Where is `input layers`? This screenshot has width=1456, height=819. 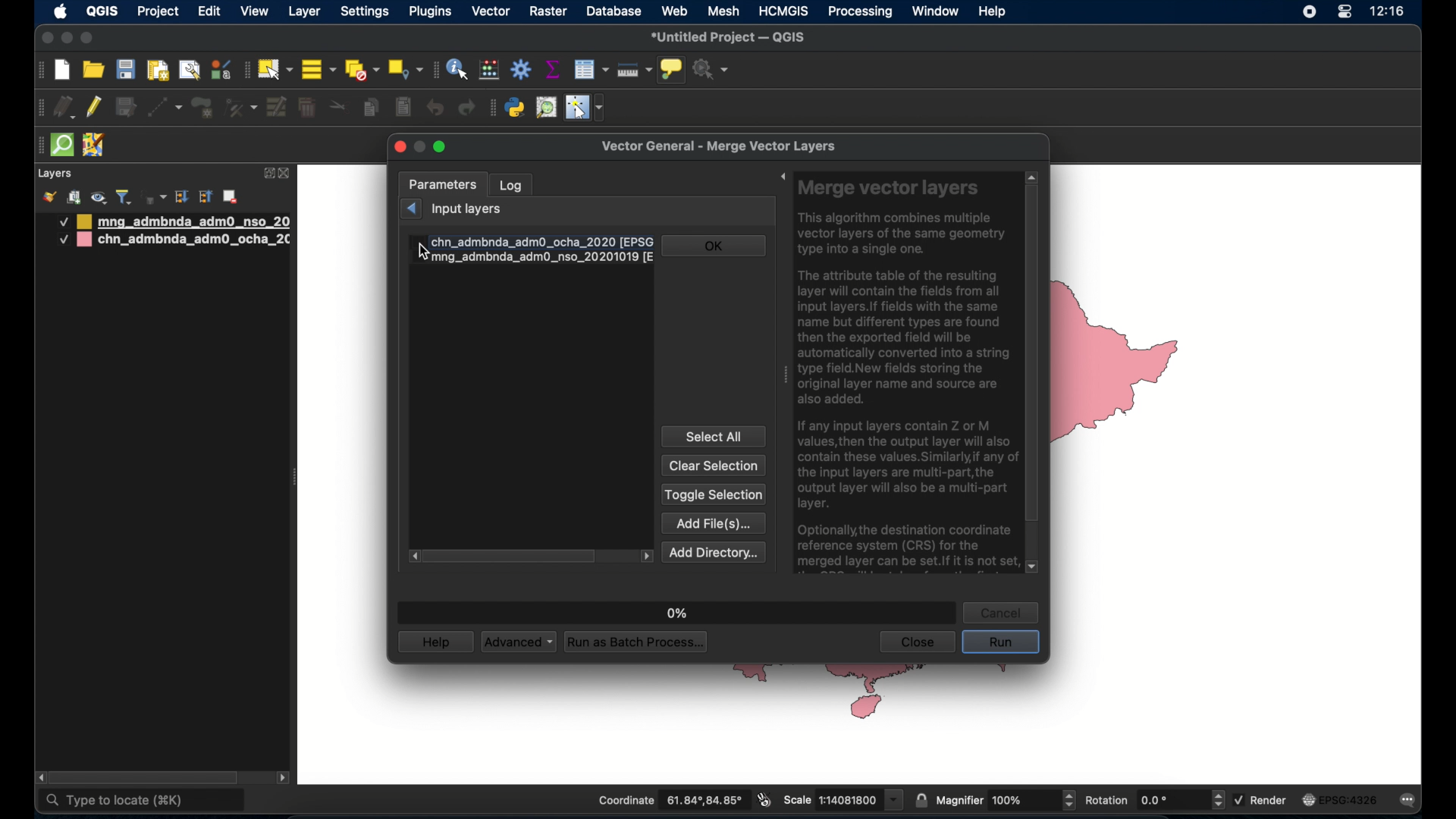
input layers is located at coordinates (469, 210).